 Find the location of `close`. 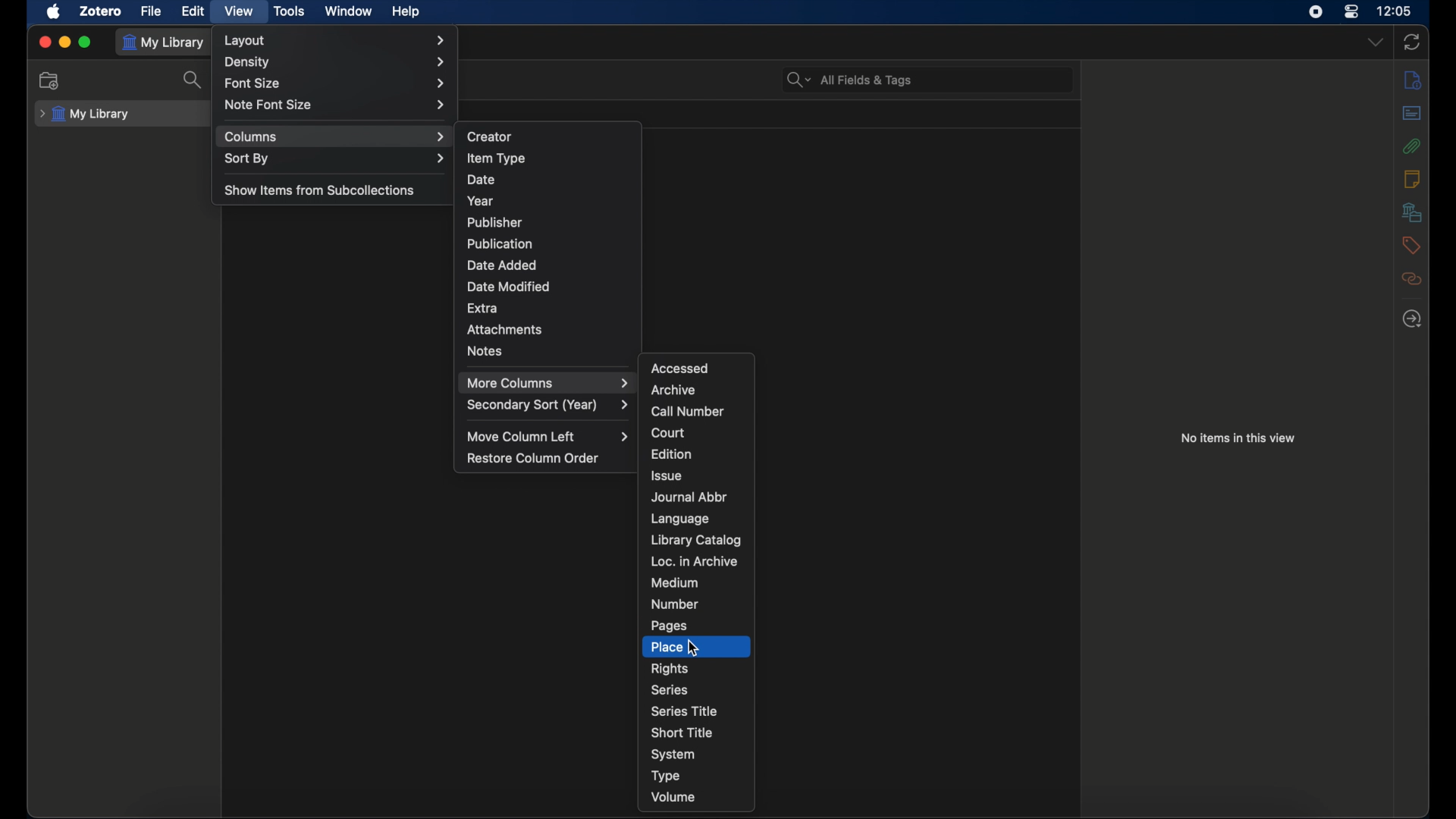

close is located at coordinates (44, 42).